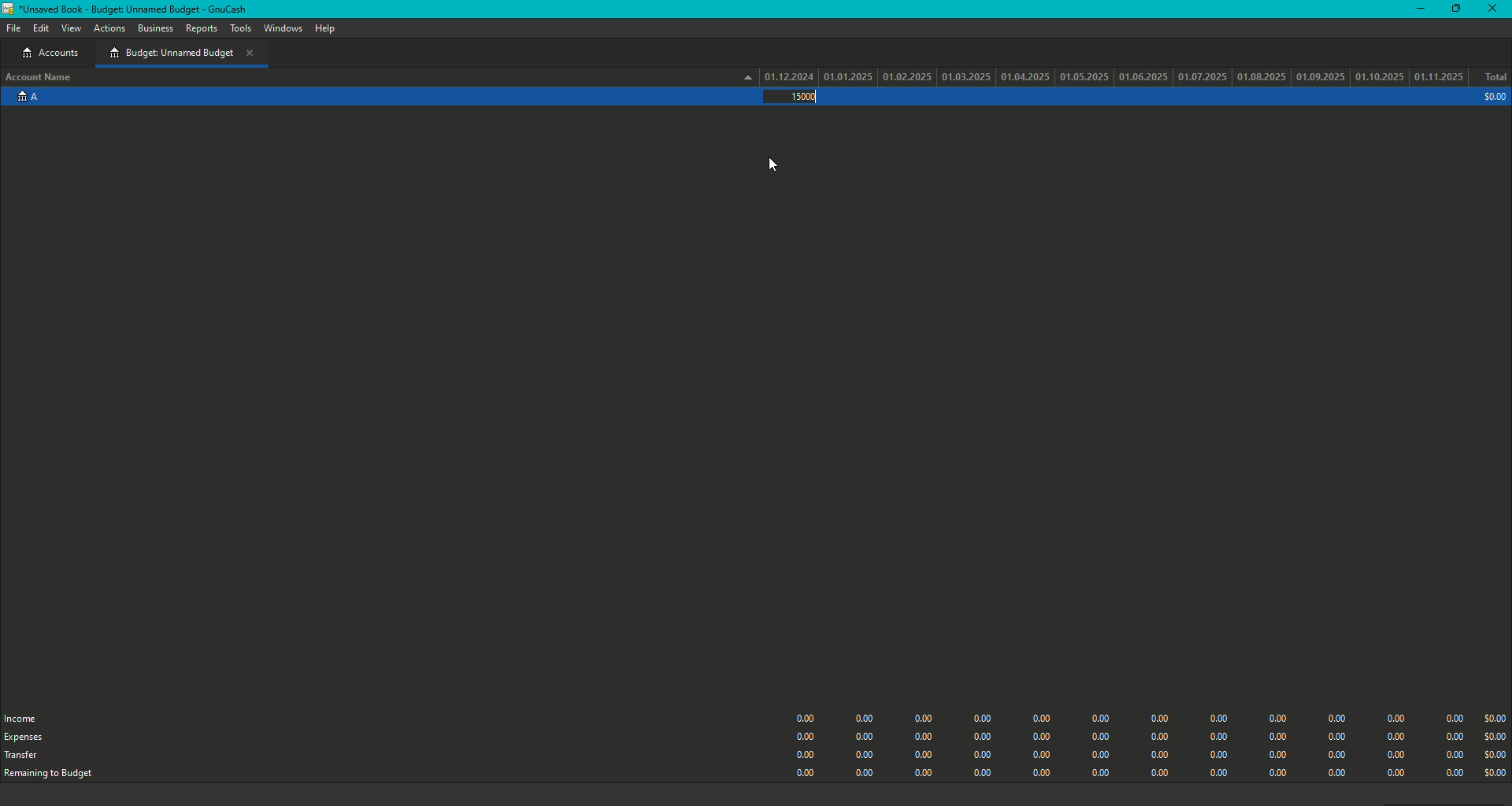 Image resolution: width=1512 pixels, height=806 pixels. What do you see at coordinates (1146, 741) in the screenshot?
I see `$0` at bounding box center [1146, 741].